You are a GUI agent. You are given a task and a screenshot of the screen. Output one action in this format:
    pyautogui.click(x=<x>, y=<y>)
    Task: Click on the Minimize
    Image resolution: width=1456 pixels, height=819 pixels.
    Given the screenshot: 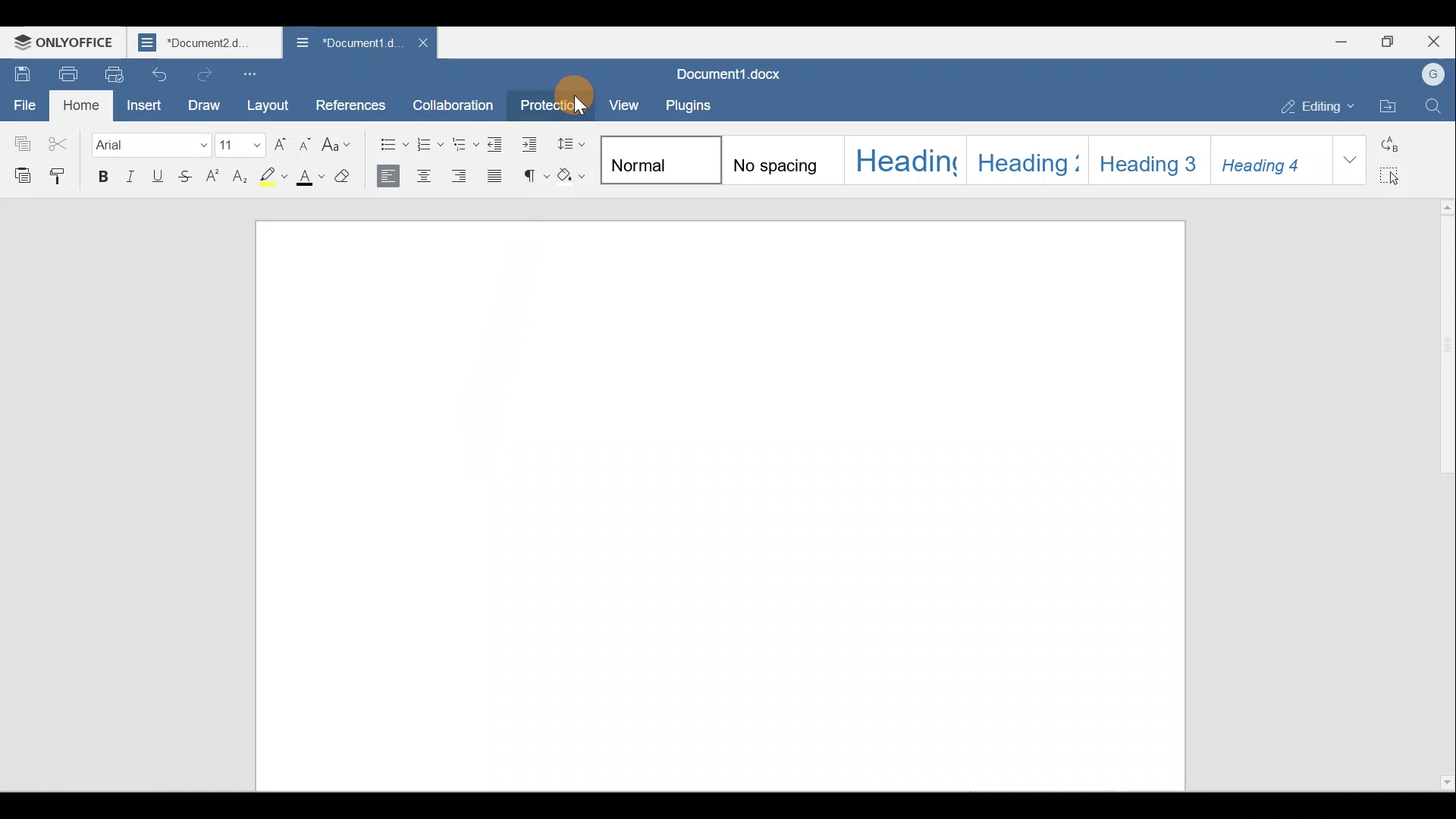 What is the action you would take?
    pyautogui.click(x=1330, y=40)
    